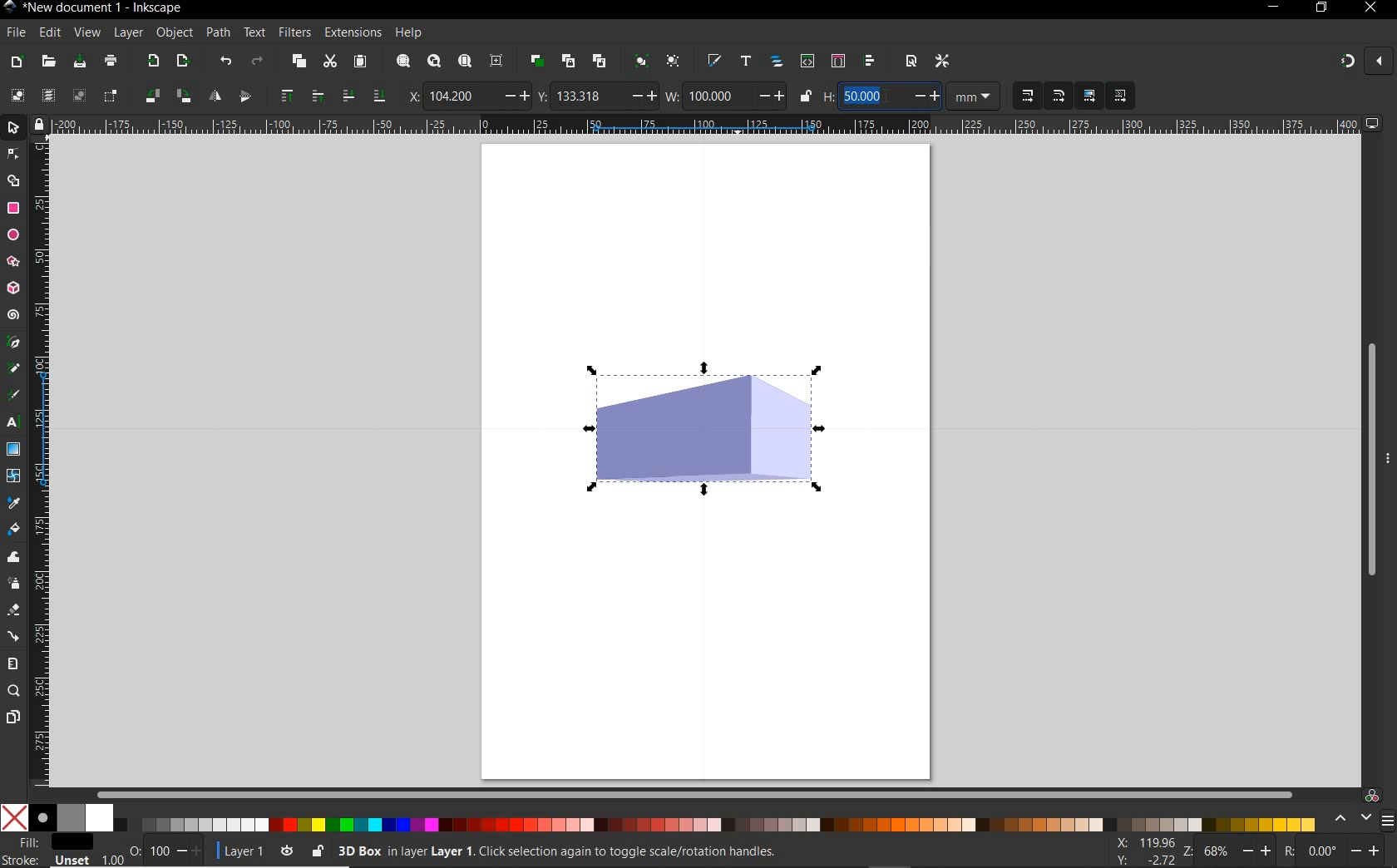 The width and height of the screenshot is (1397, 868). I want to click on tweak tool, so click(13, 558).